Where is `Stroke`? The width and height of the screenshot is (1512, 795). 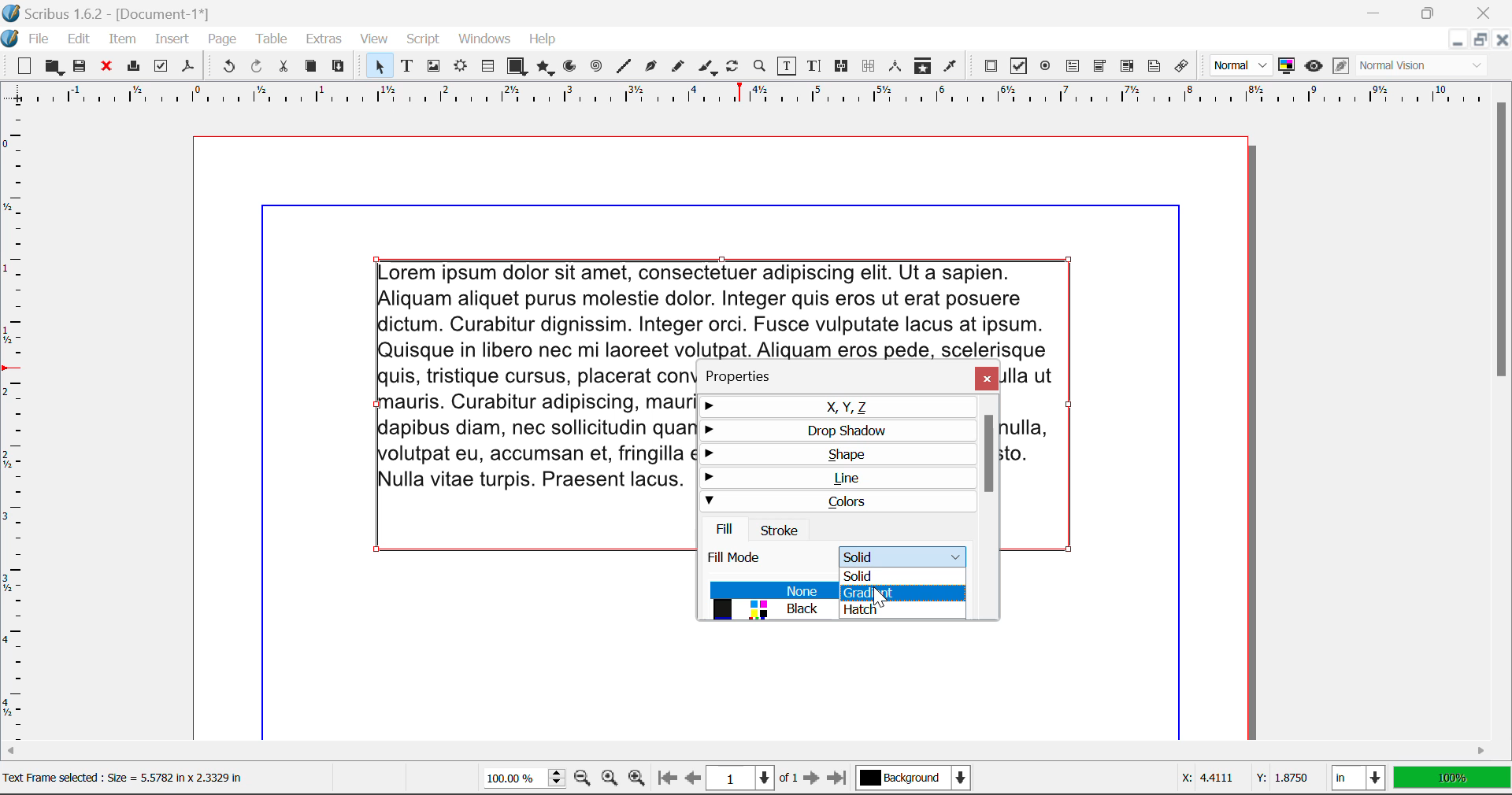 Stroke is located at coordinates (780, 529).